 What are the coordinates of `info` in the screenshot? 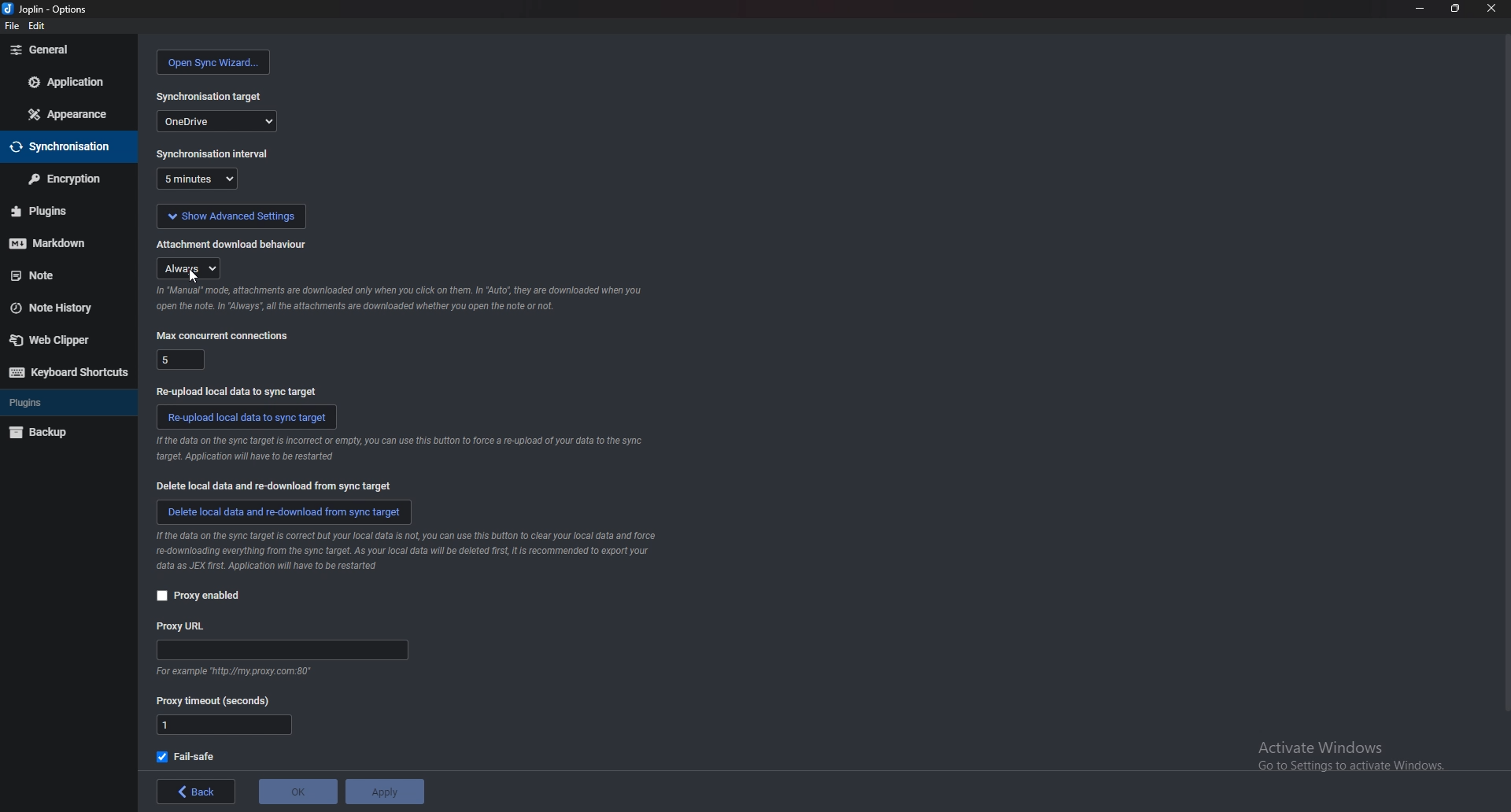 It's located at (231, 673).